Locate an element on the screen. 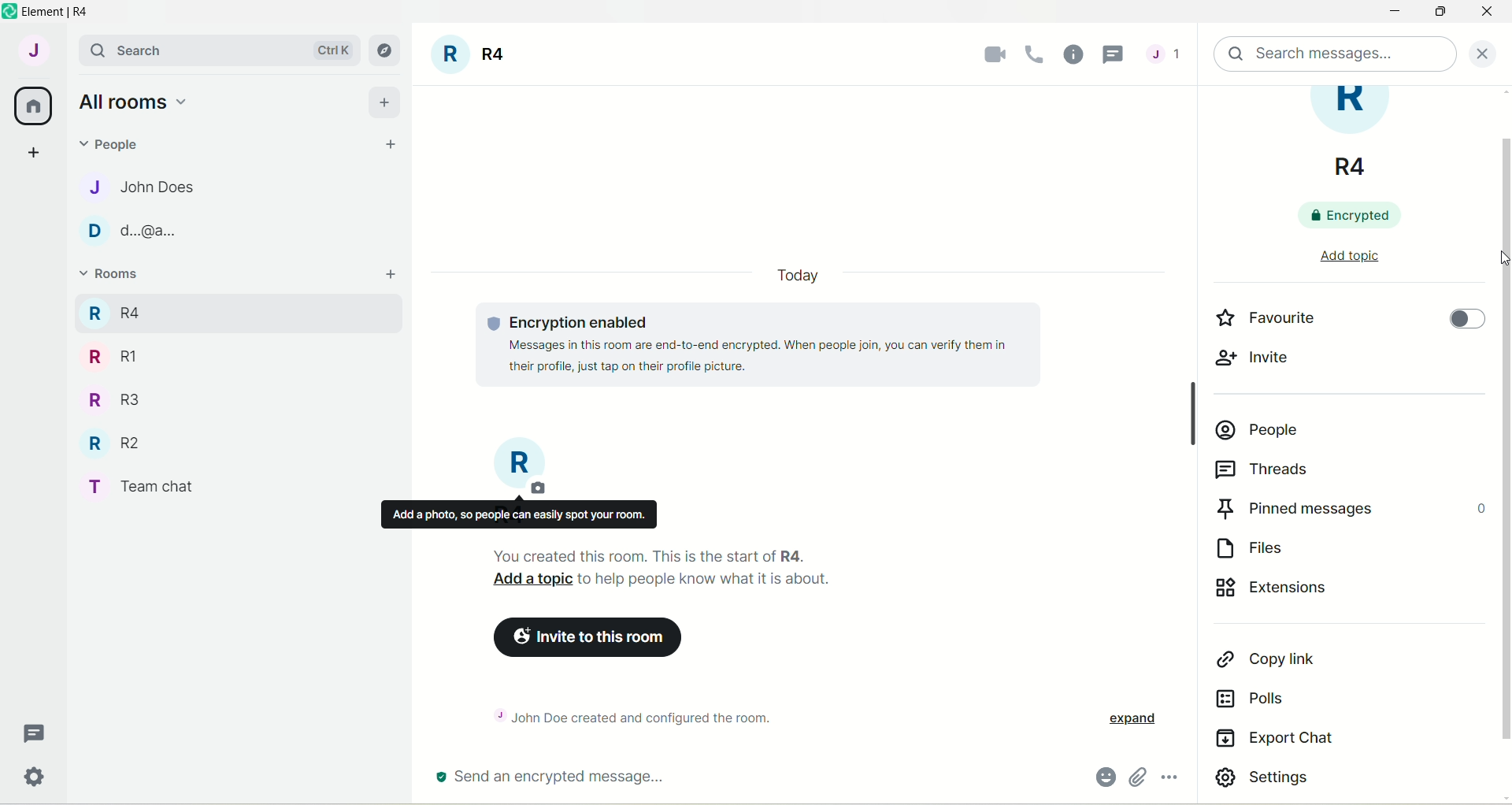 This screenshot has height=805, width=1512. R R2 is located at coordinates (109, 440).